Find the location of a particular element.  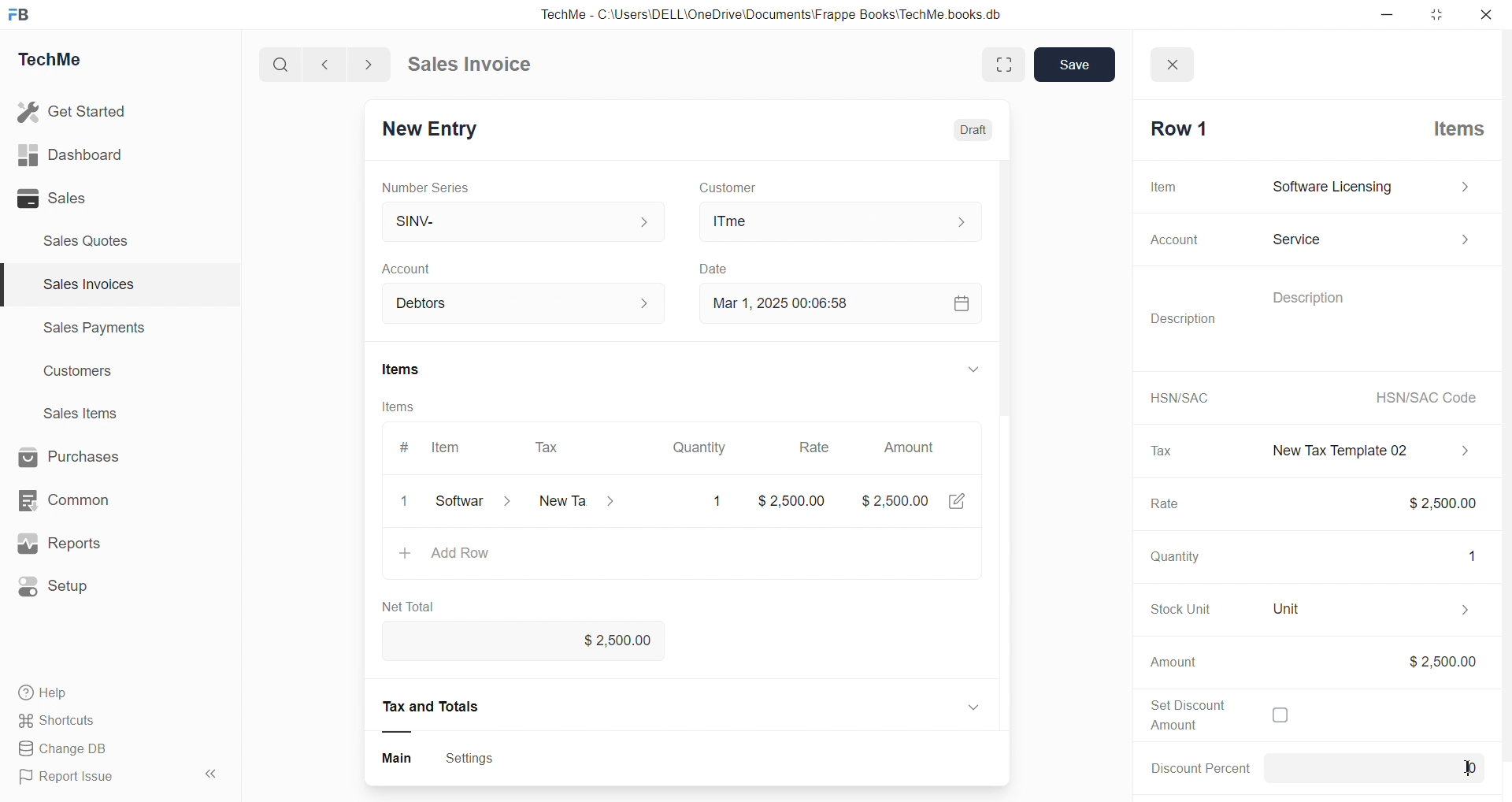

Create is located at coordinates (715, 265).